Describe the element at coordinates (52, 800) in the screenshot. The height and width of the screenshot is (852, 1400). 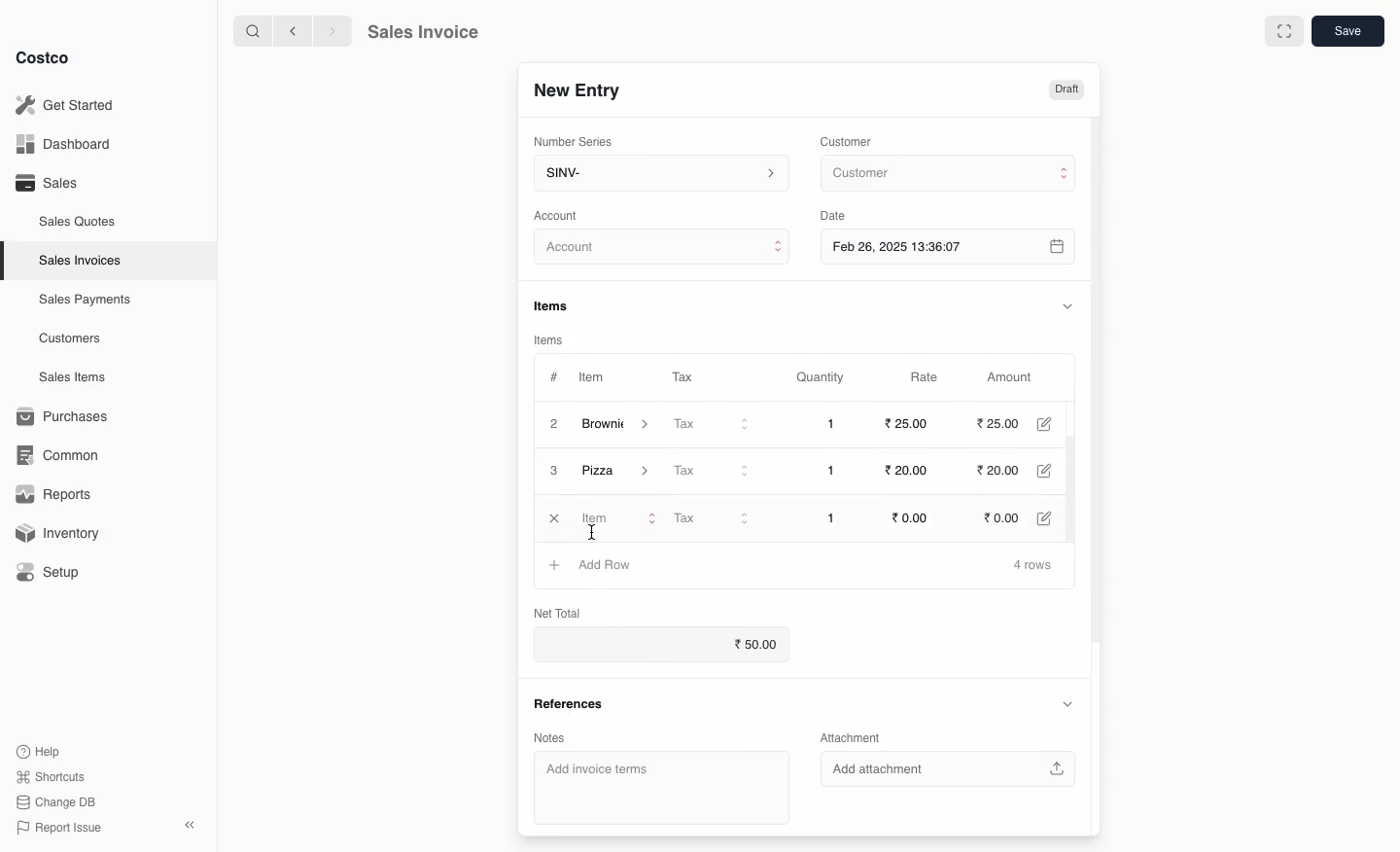
I see `Change DB` at that location.